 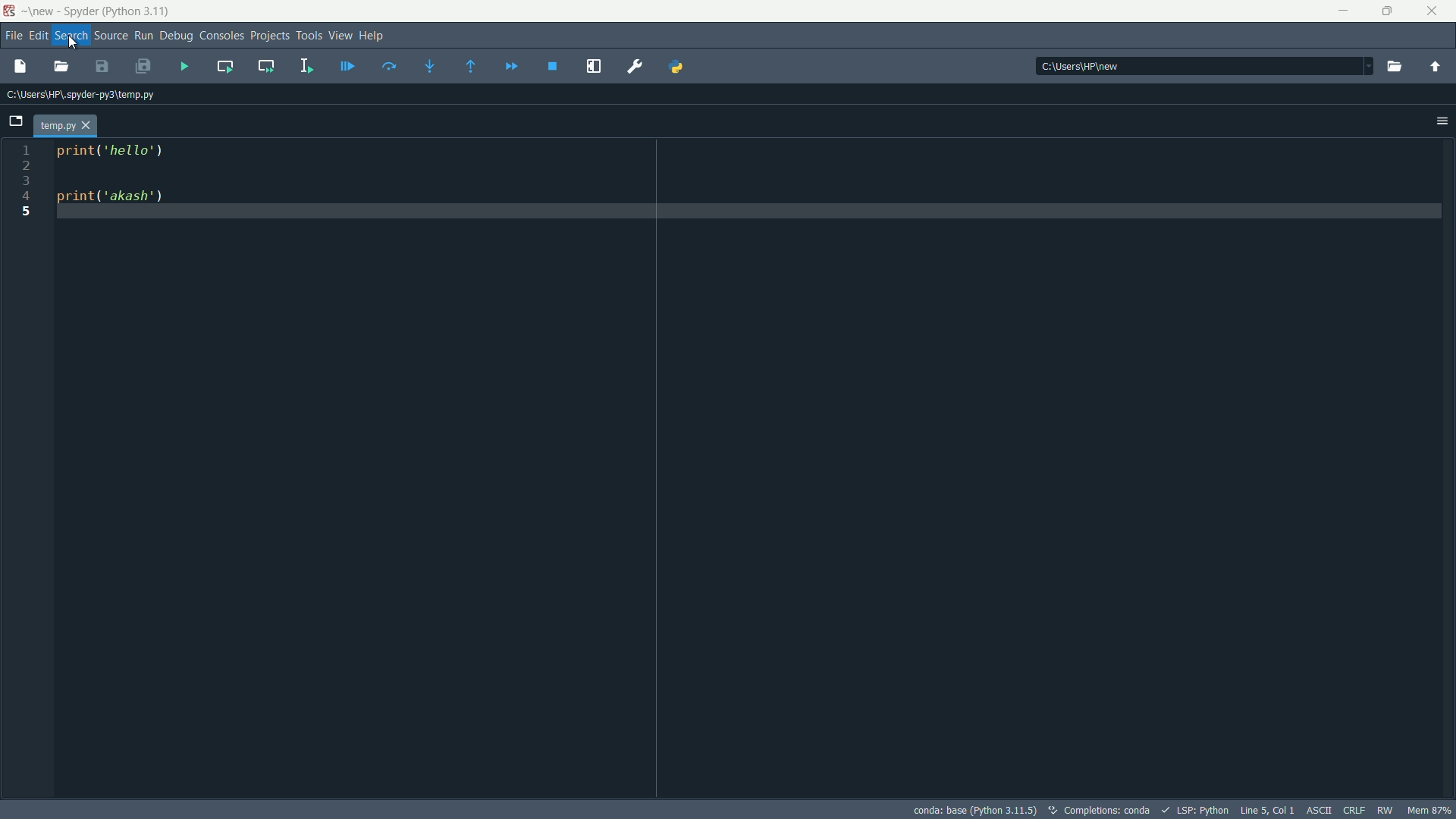 What do you see at coordinates (1102, 811) in the screenshot?
I see `text` at bounding box center [1102, 811].